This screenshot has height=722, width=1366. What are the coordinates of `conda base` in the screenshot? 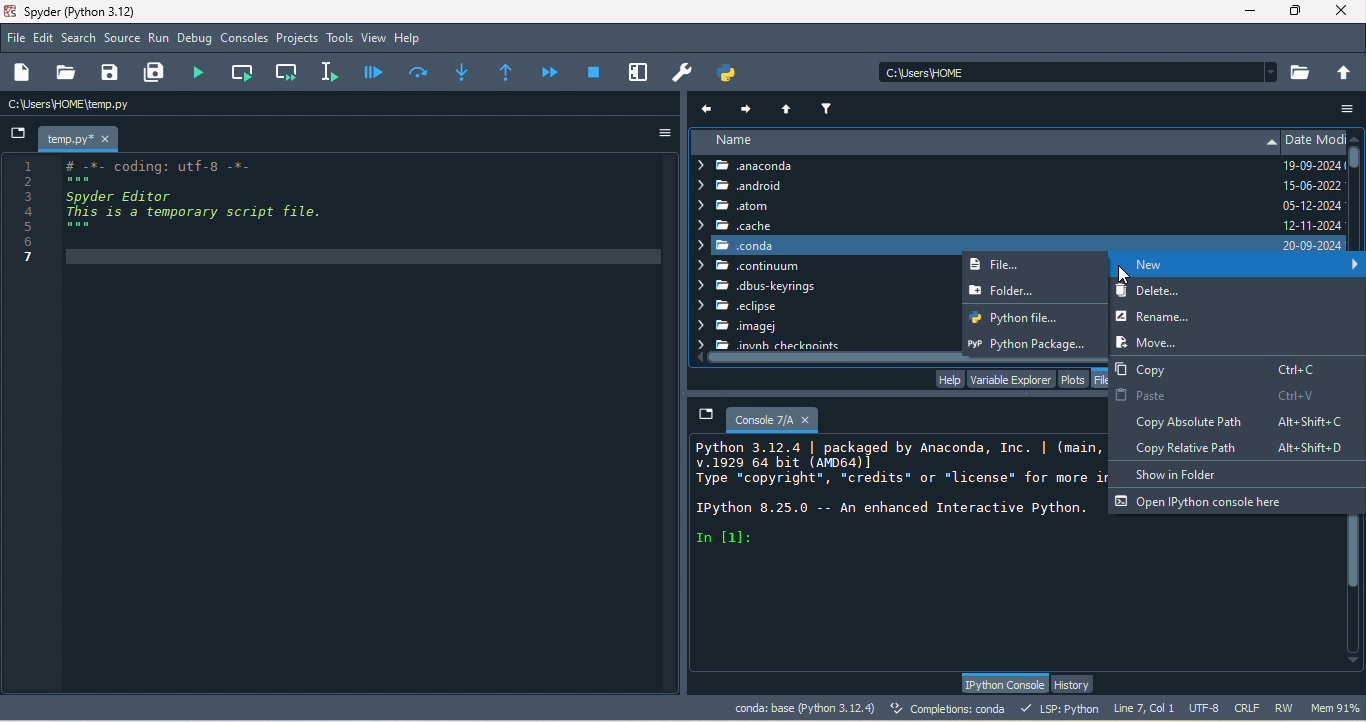 It's located at (804, 708).